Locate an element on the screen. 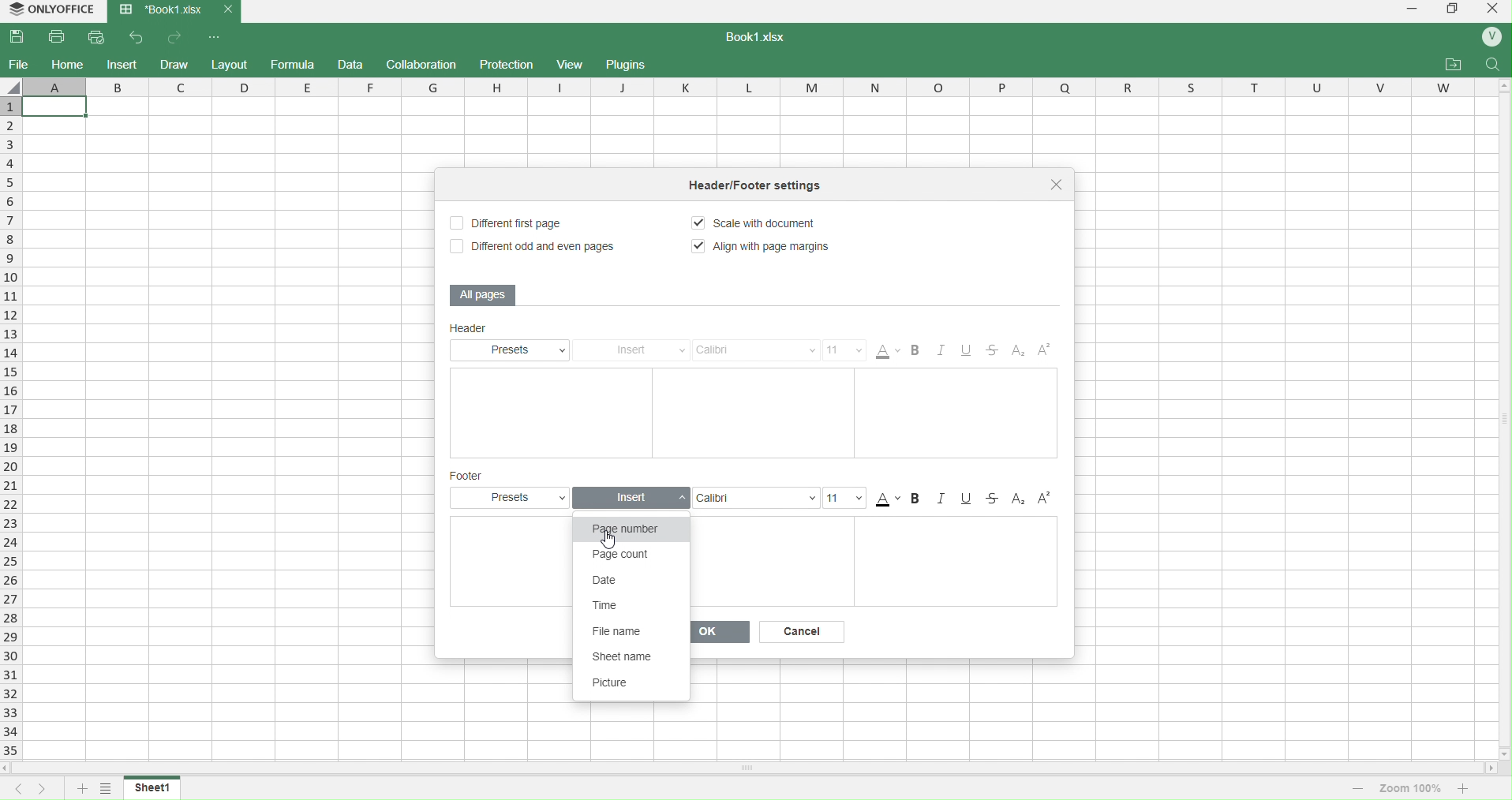  Underline is located at coordinates (967, 499).